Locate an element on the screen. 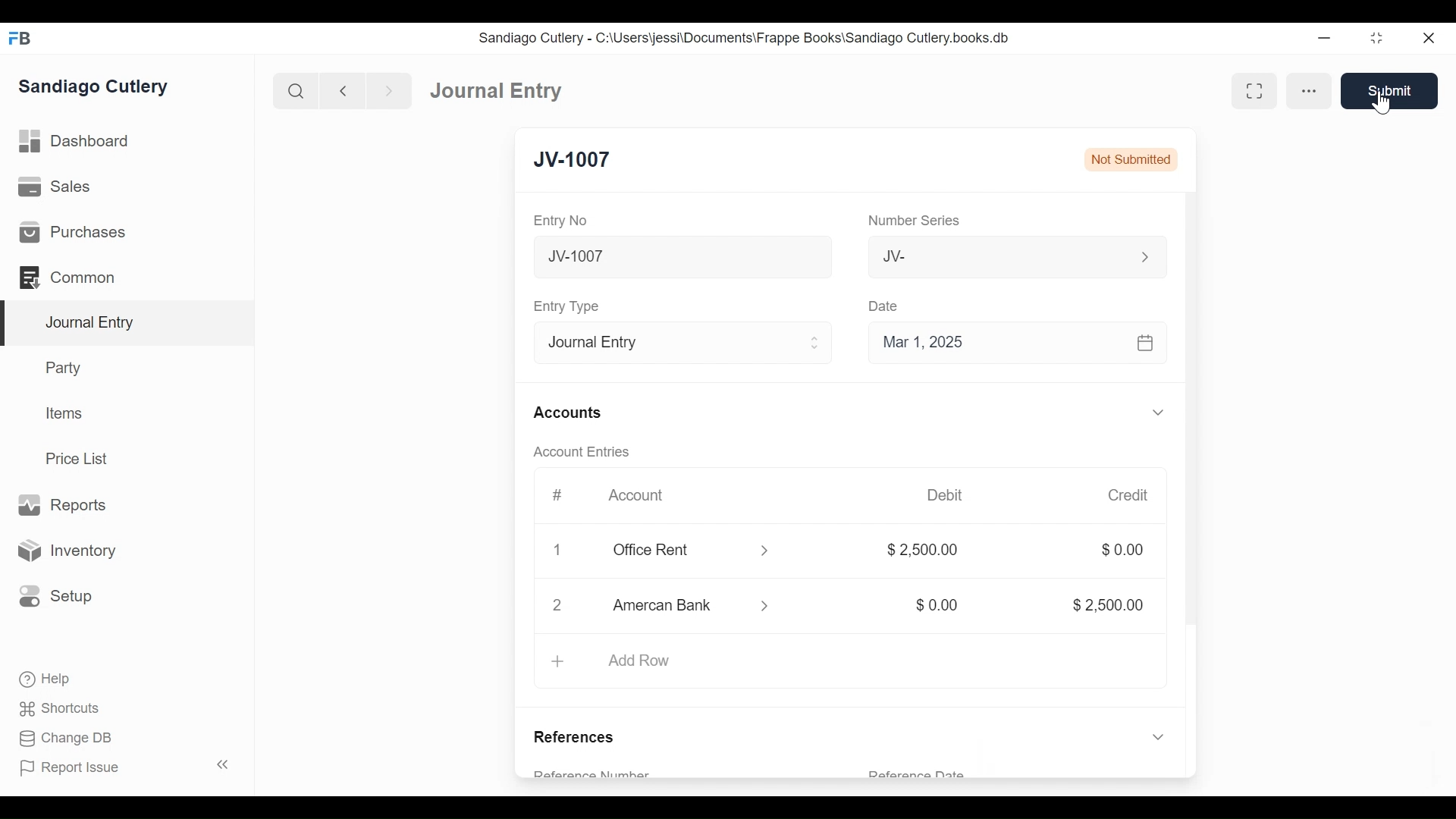 This screenshot has height=819, width=1456. minimize is located at coordinates (1326, 35).